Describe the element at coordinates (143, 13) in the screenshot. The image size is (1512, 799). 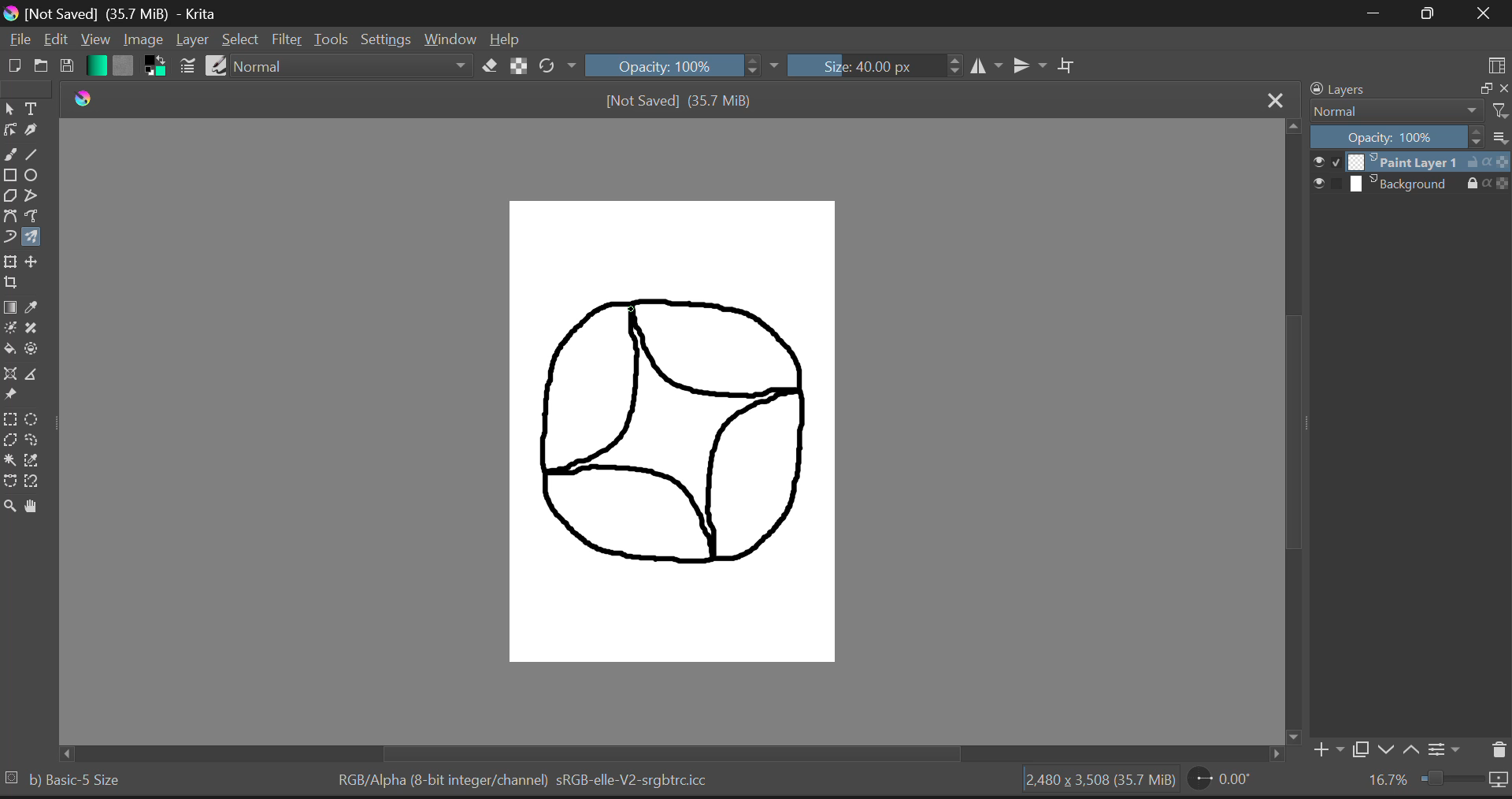
I see `[Not Saved] (35.7 MiB) - Krita` at that location.